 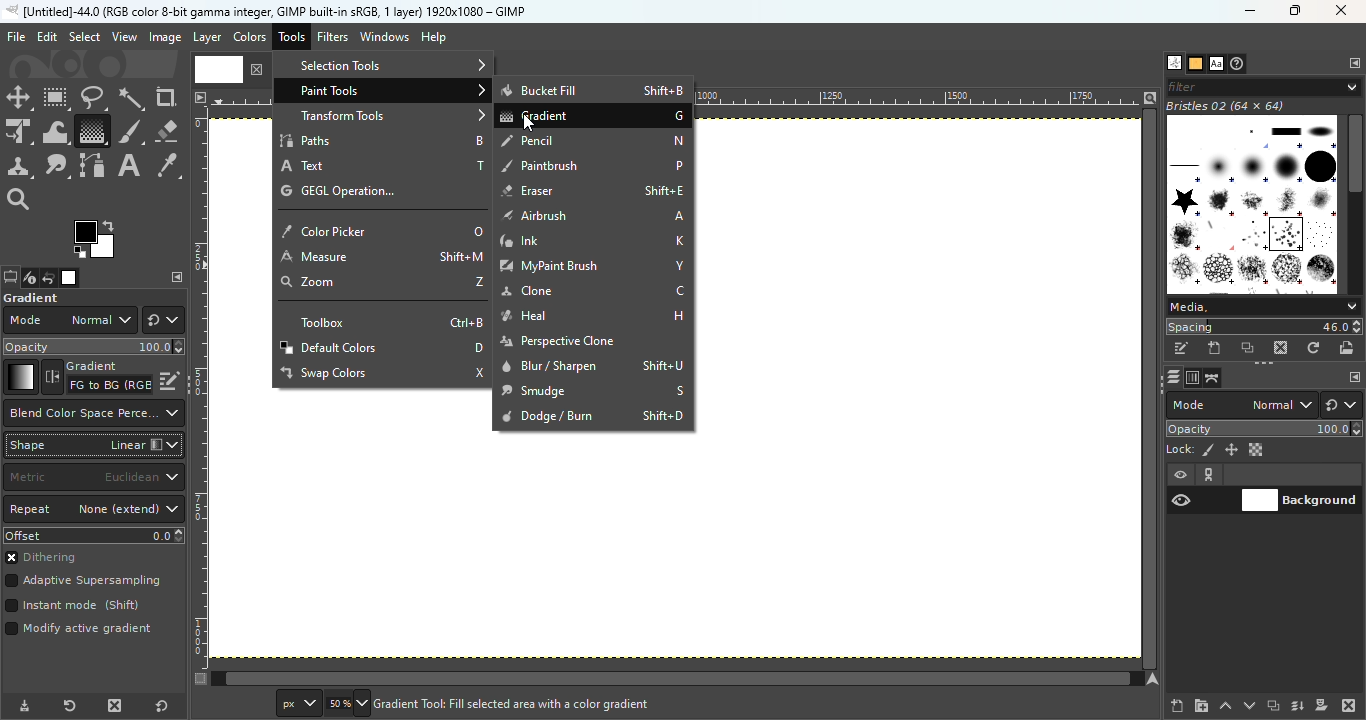 What do you see at coordinates (84, 583) in the screenshot?
I see `Adaptive supersampling` at bounding box center [84, 583].